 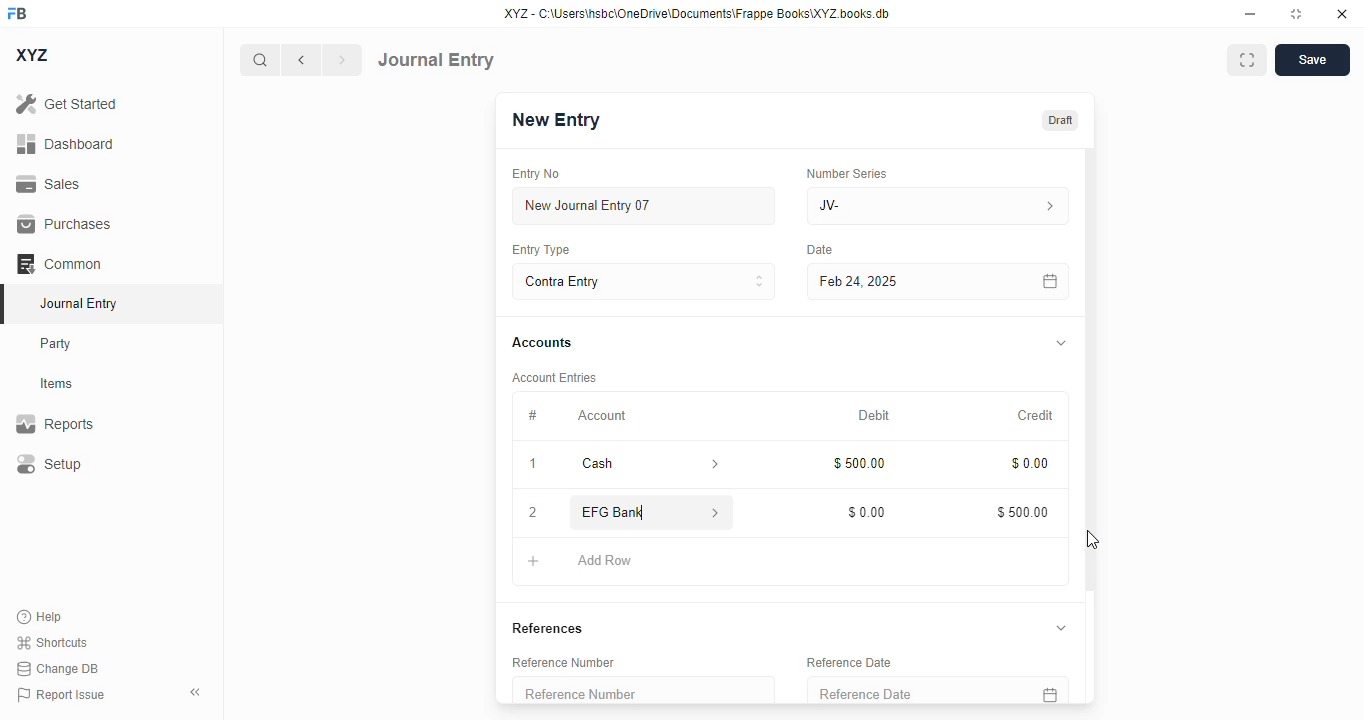 What do you see at coordinates (65, 143) in the screenshot?
I see `dashboard` at bounding box center [65, 143].